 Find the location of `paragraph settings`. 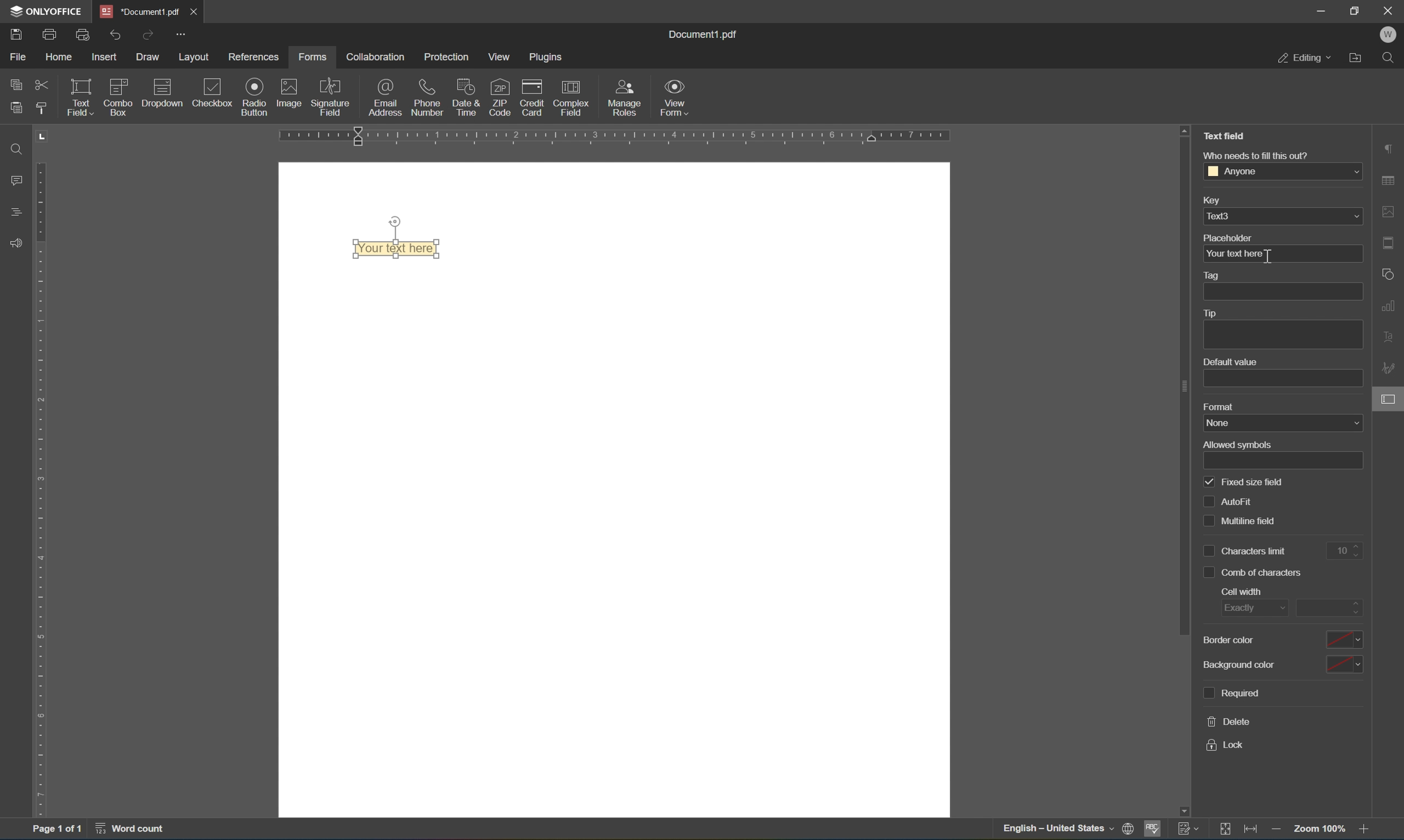

paragraph settings is located at coordinates (1392, 149).